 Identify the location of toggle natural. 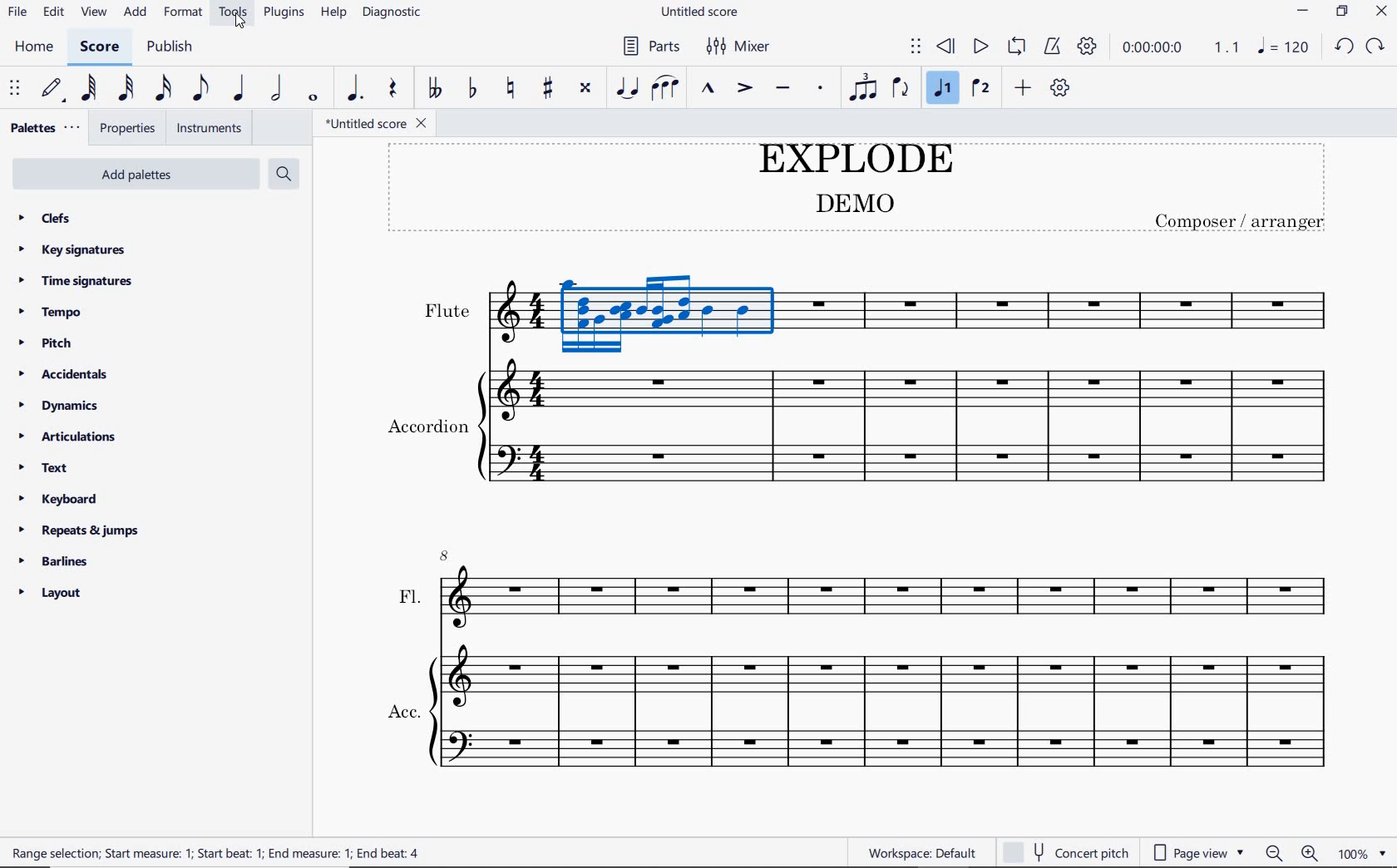
(511, 89).